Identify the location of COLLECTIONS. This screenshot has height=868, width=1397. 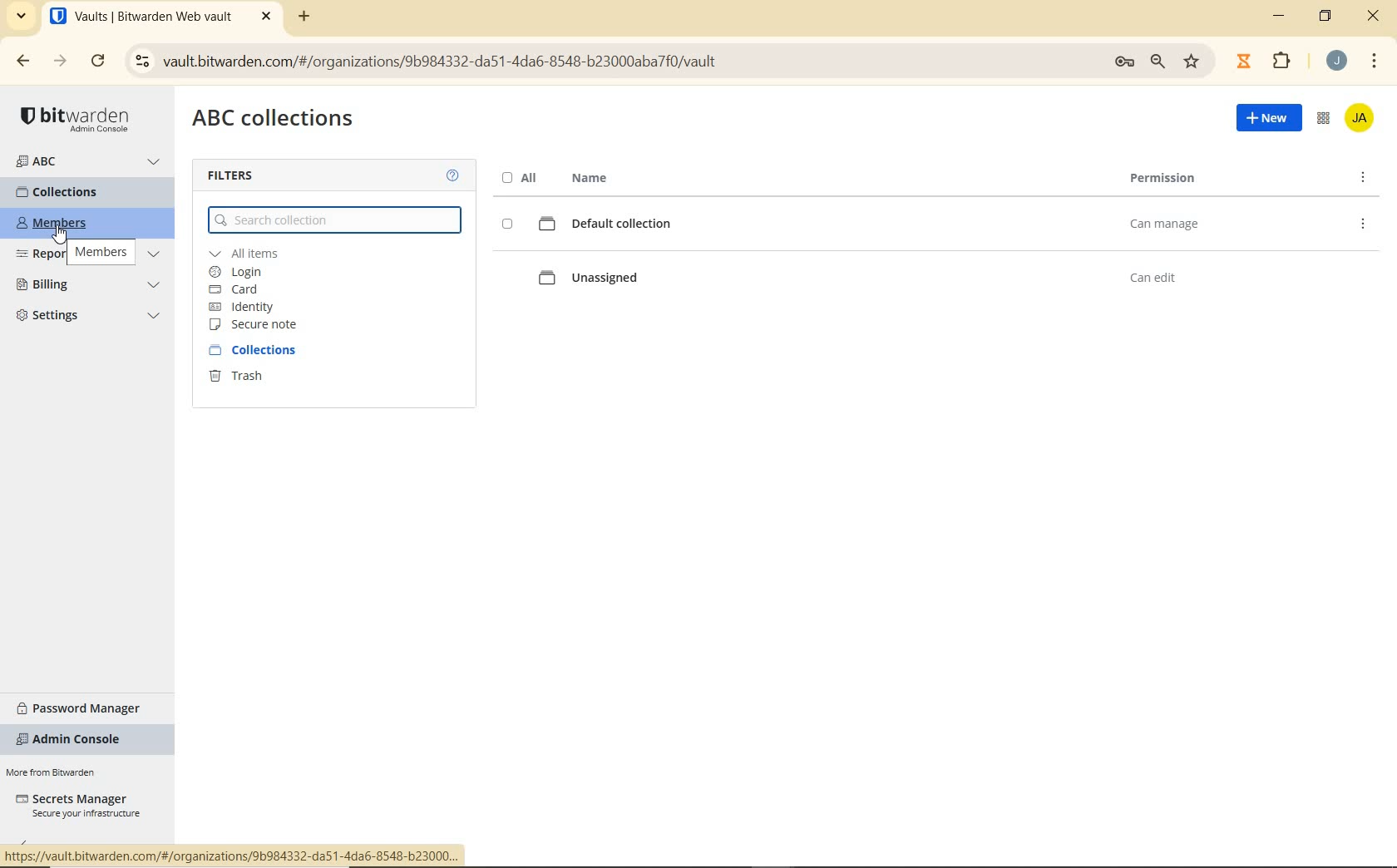
(264, 350).